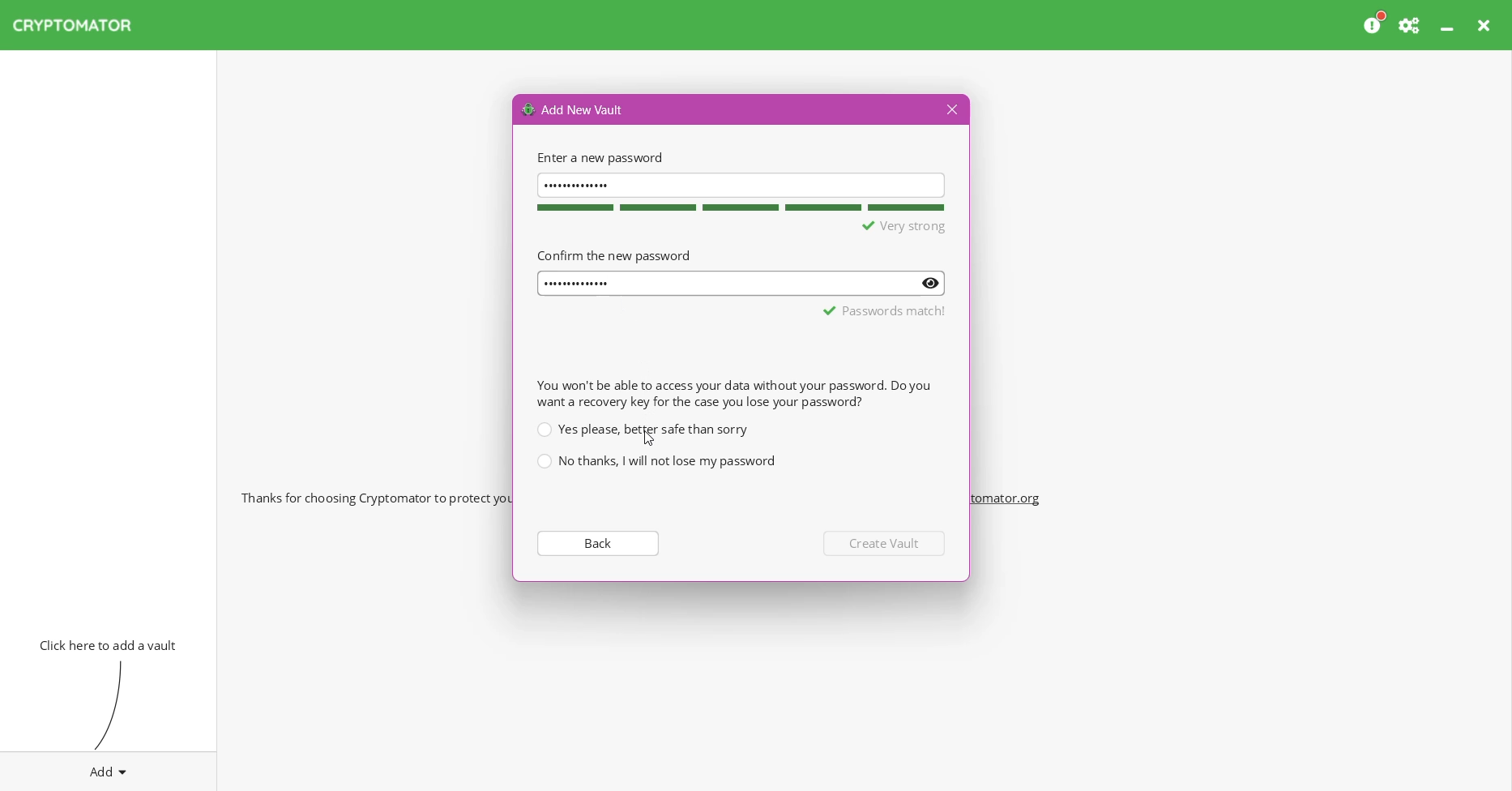  Describe the element at coordinates (1486, 25) in the screenshot. I see `Close` at that location.